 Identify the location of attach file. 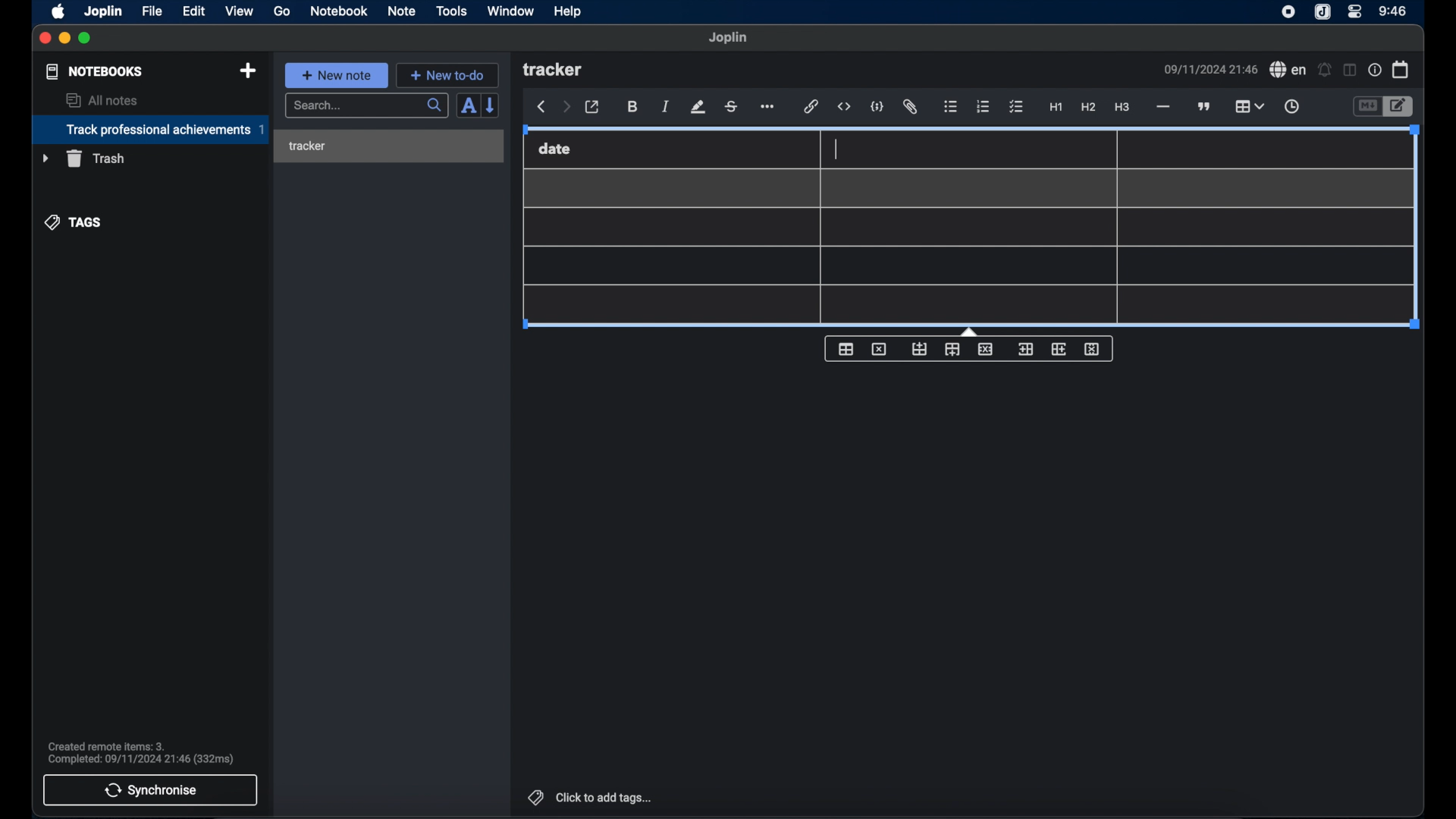
(912, 108).